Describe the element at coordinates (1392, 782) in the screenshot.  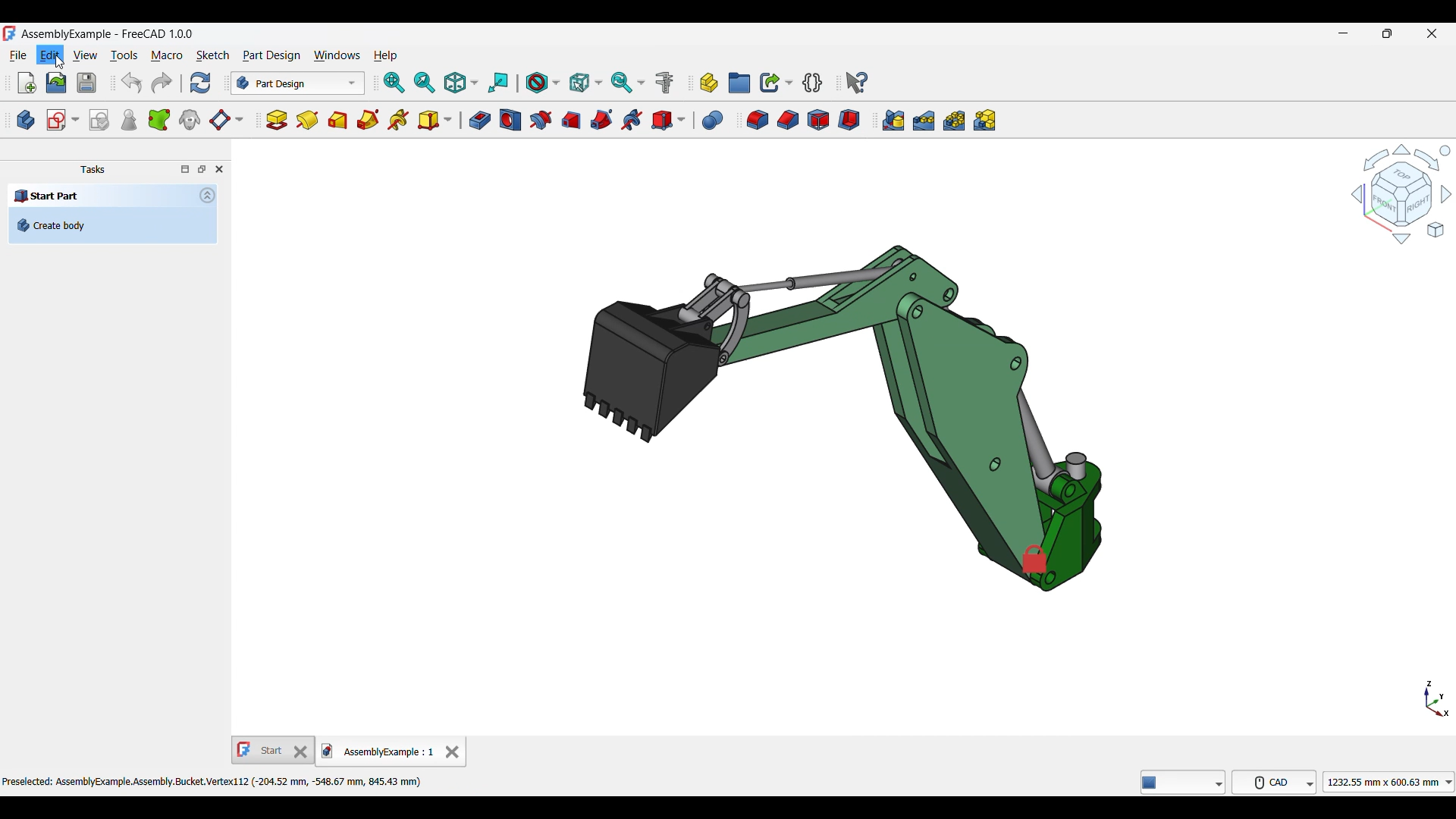
I see ` 1232.55 mmx 600.63 mm` at that location.